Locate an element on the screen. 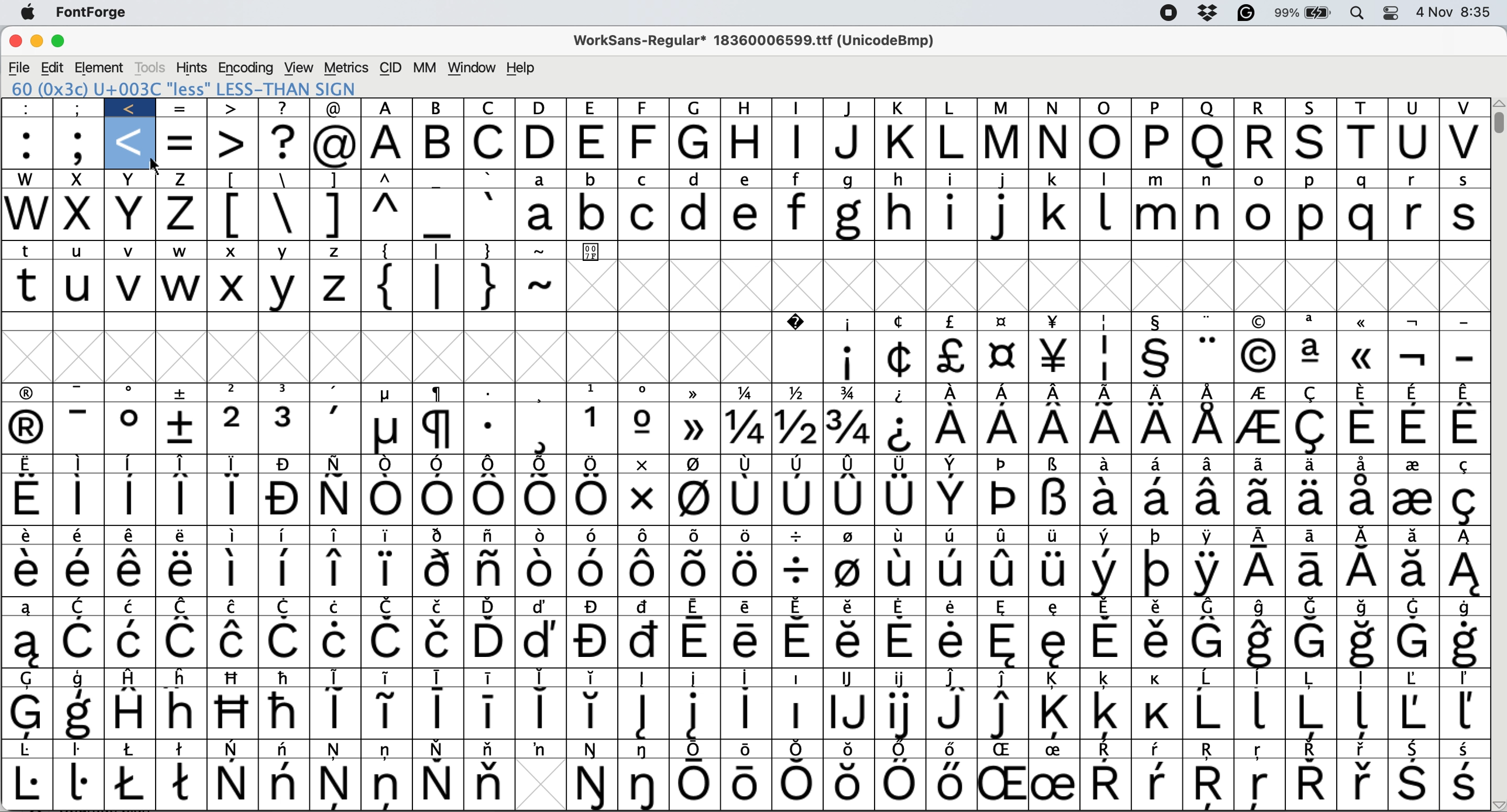 The height and width of the screenshot is (812, 1507). g is located at coordinates (849, 216).